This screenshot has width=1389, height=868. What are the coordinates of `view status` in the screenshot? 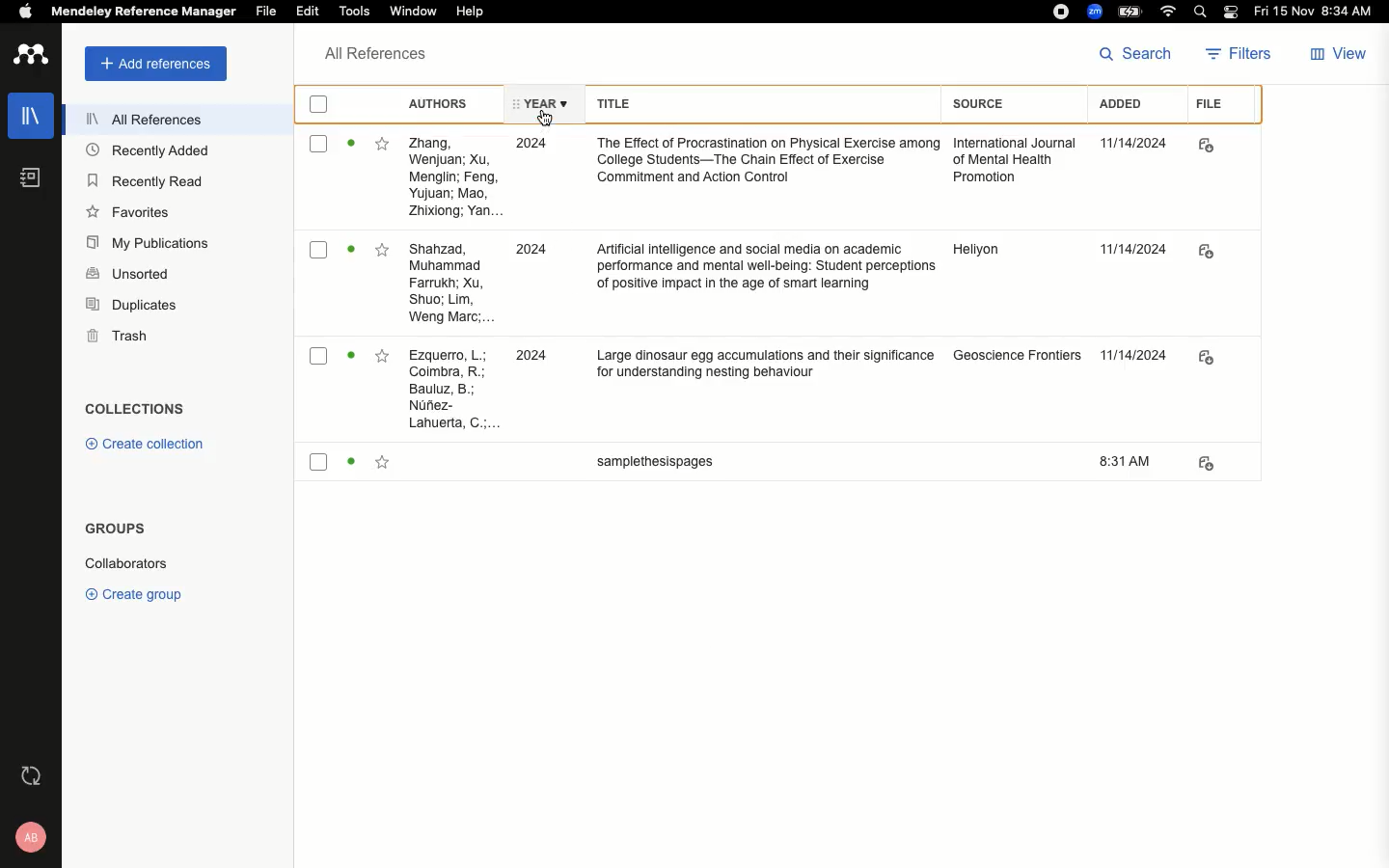 It's located at (351, 361).